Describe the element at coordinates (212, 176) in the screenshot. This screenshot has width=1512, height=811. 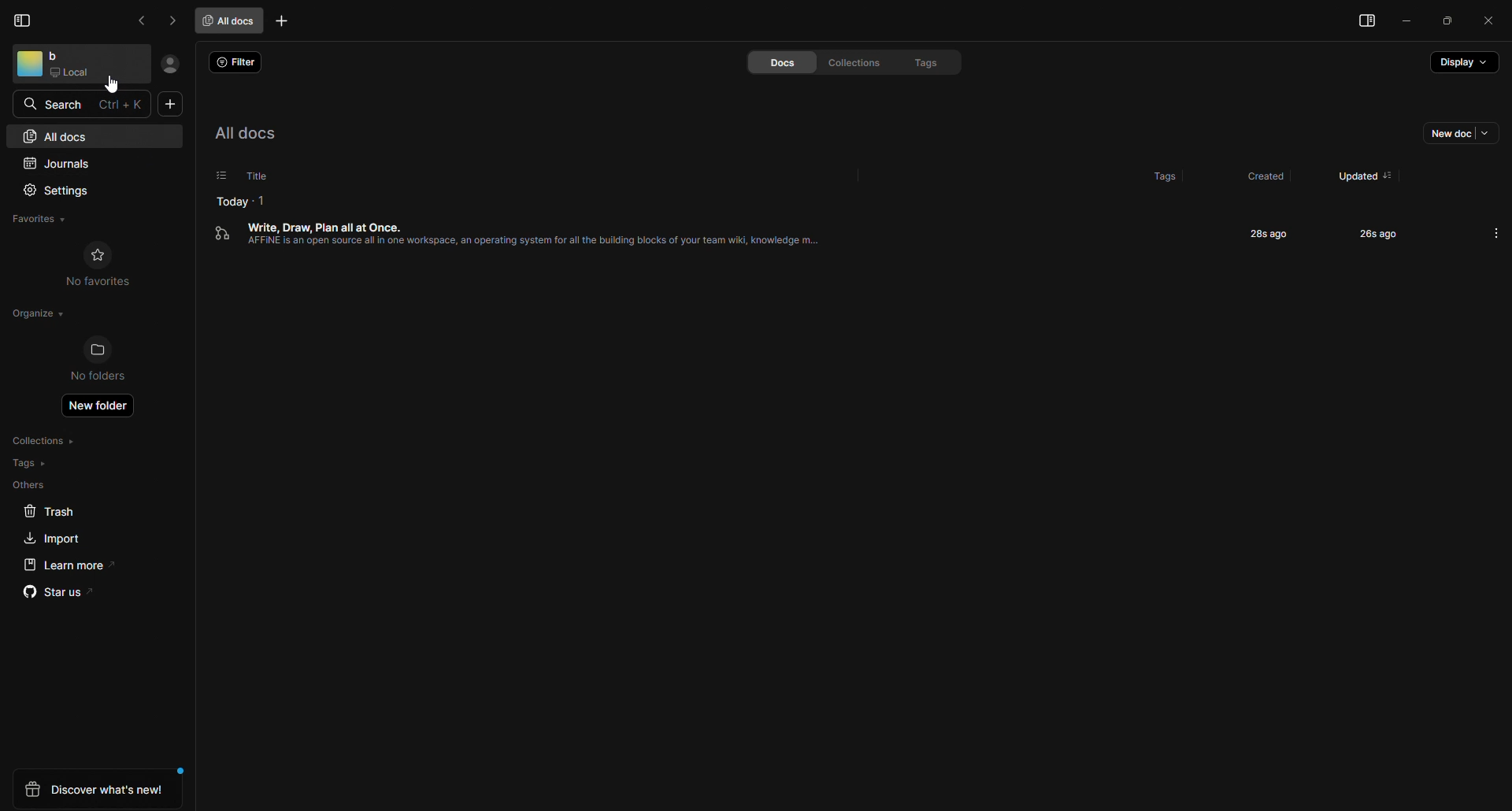
I see `select` at that location.